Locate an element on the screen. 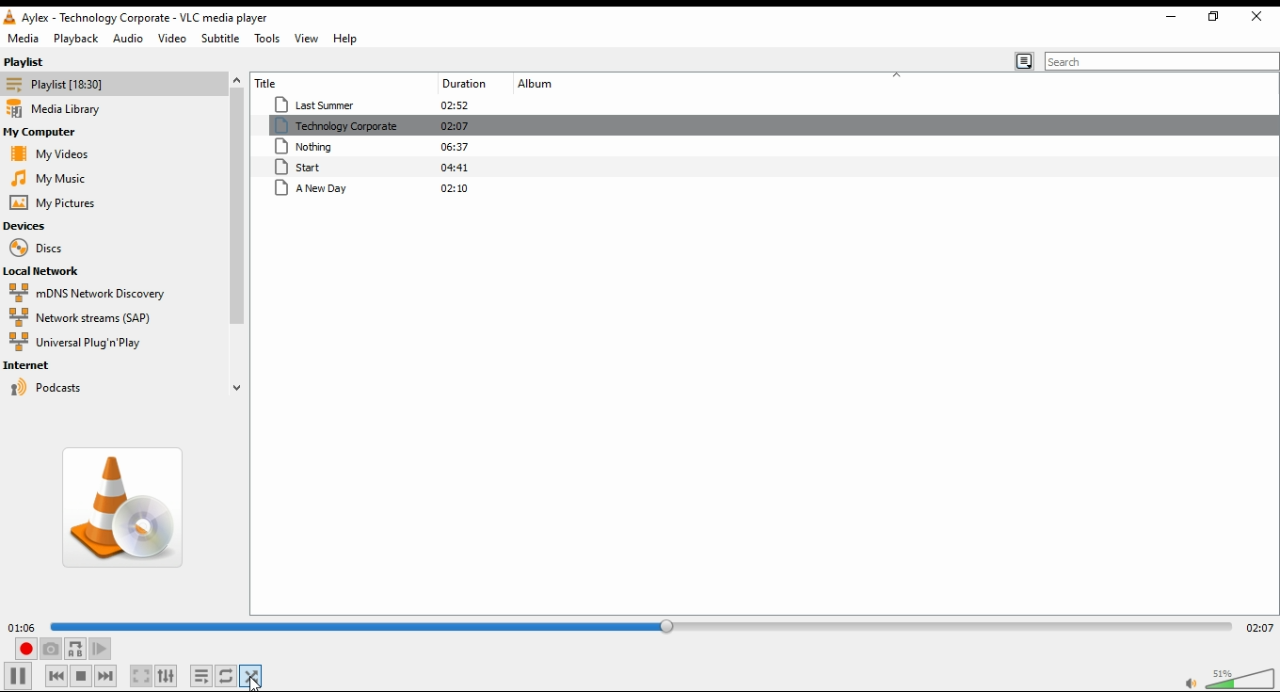 This screenshot has height=692, width=1280. show extended settings is located at coordinates (169, 675).